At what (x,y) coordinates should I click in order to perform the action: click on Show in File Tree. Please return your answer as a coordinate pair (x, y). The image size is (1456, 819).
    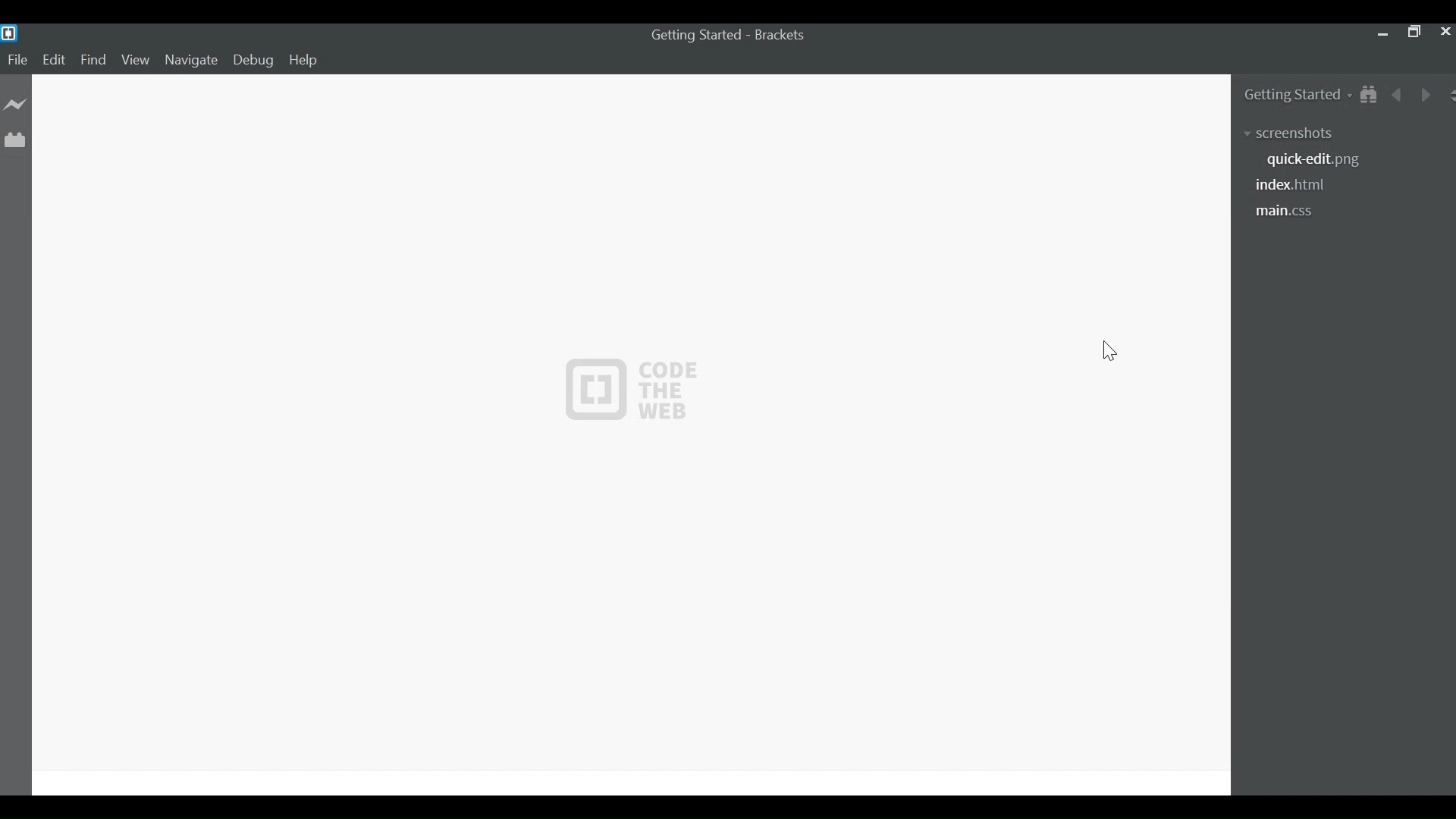
    Looking at the image, I should click on (1372, 96).